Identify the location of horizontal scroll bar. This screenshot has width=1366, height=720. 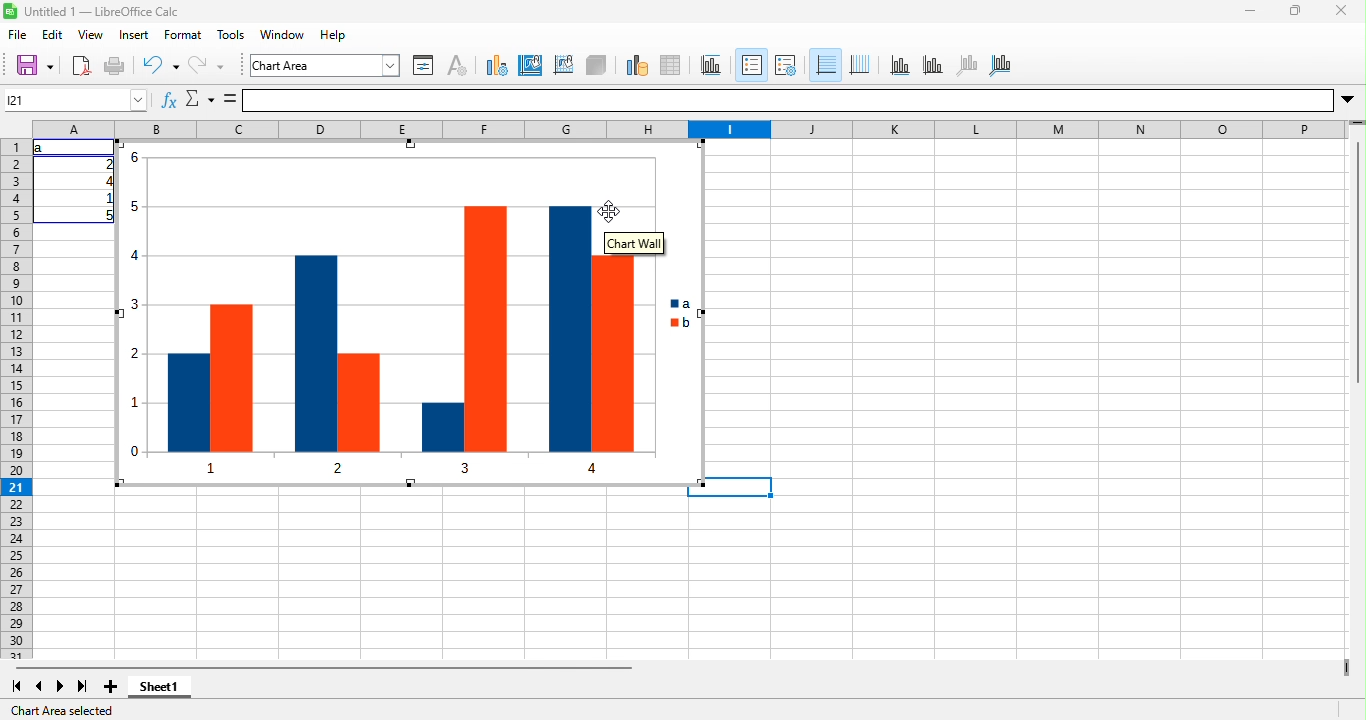
(324, 667).